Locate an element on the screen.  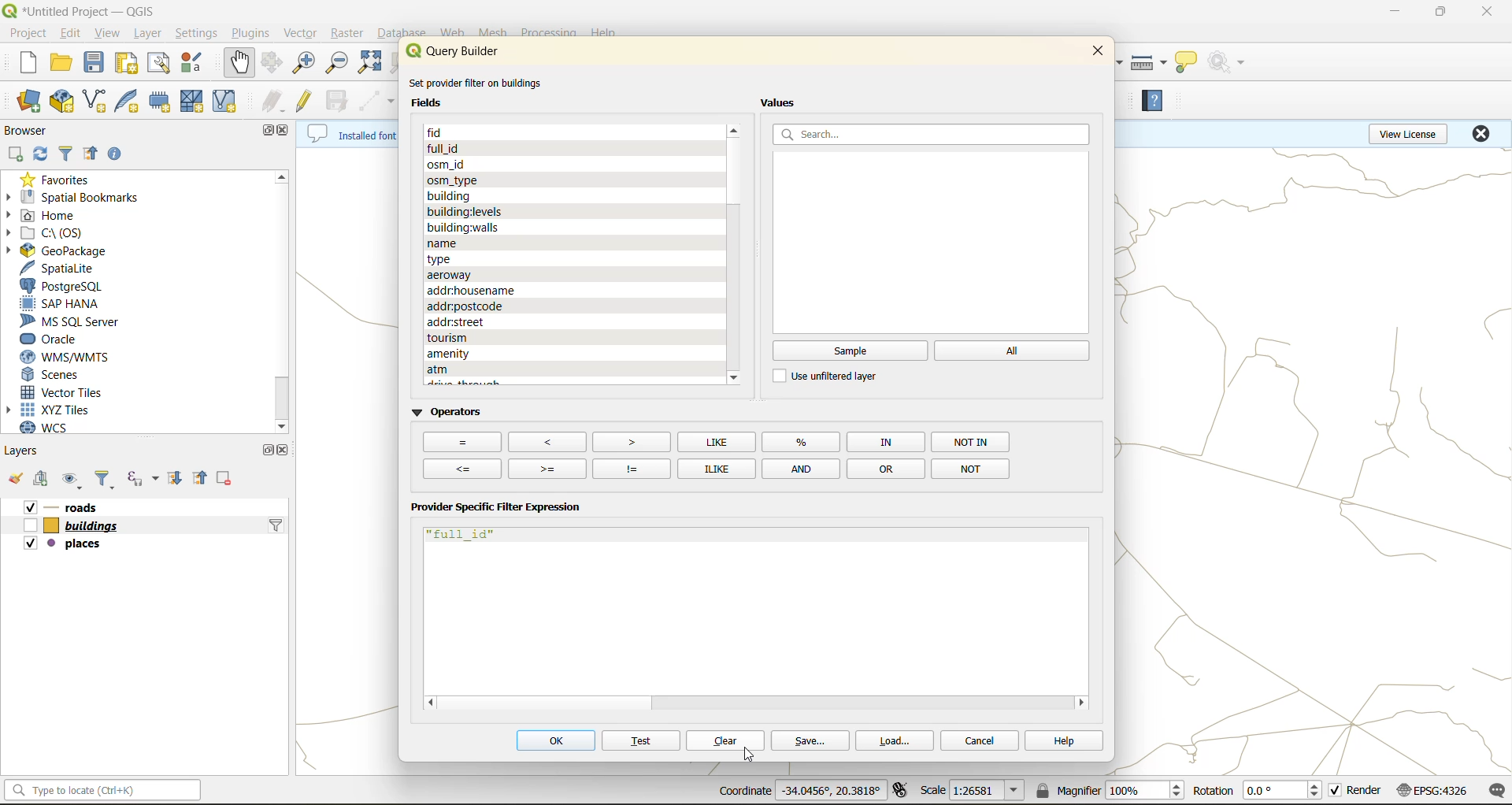
help is located at coordinates (1160, 104).